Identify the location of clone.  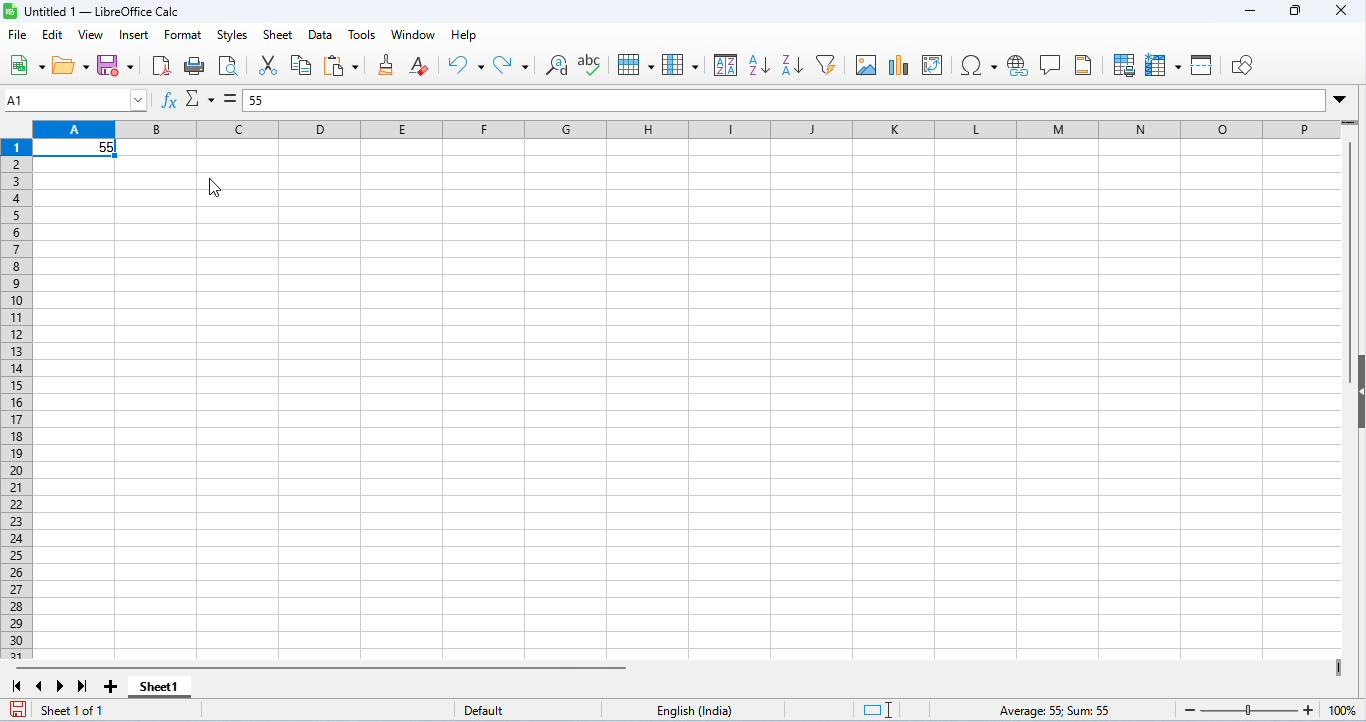
(387, 67).